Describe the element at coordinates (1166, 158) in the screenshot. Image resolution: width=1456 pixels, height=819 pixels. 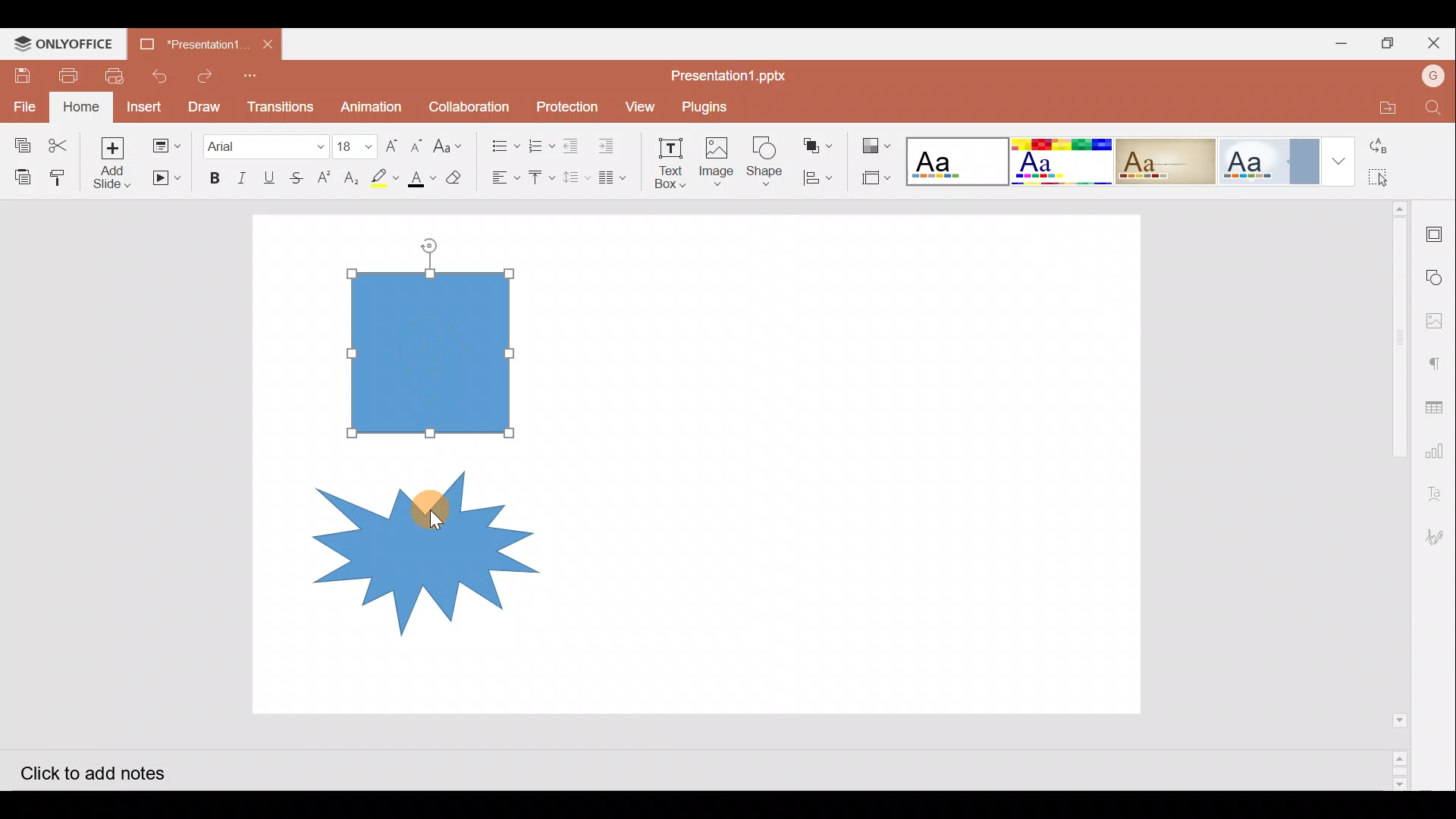
I see `Classic` at that location.